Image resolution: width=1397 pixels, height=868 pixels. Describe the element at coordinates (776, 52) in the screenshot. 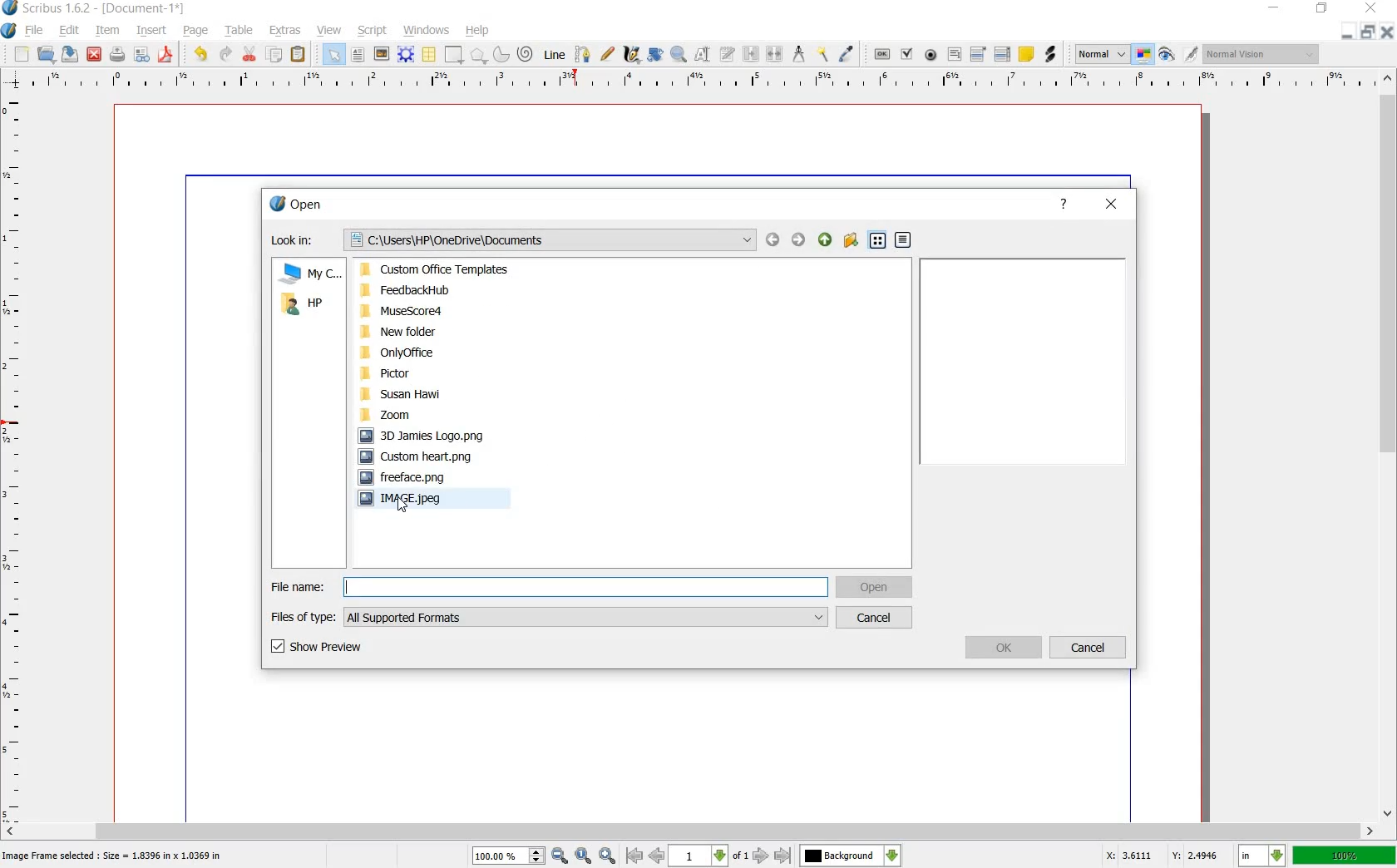

I see `unlink text frames` at that location.